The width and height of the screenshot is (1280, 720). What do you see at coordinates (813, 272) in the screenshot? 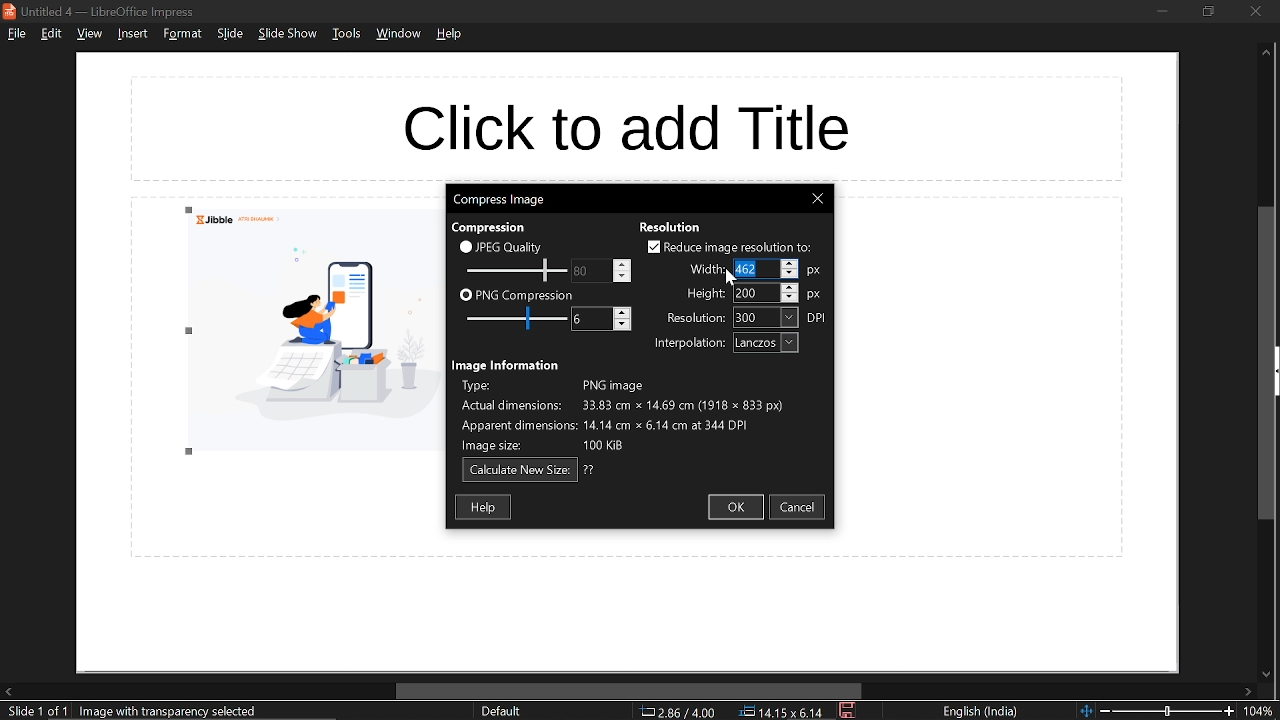
I see `width unit: px` at bounding box center [813, 272].